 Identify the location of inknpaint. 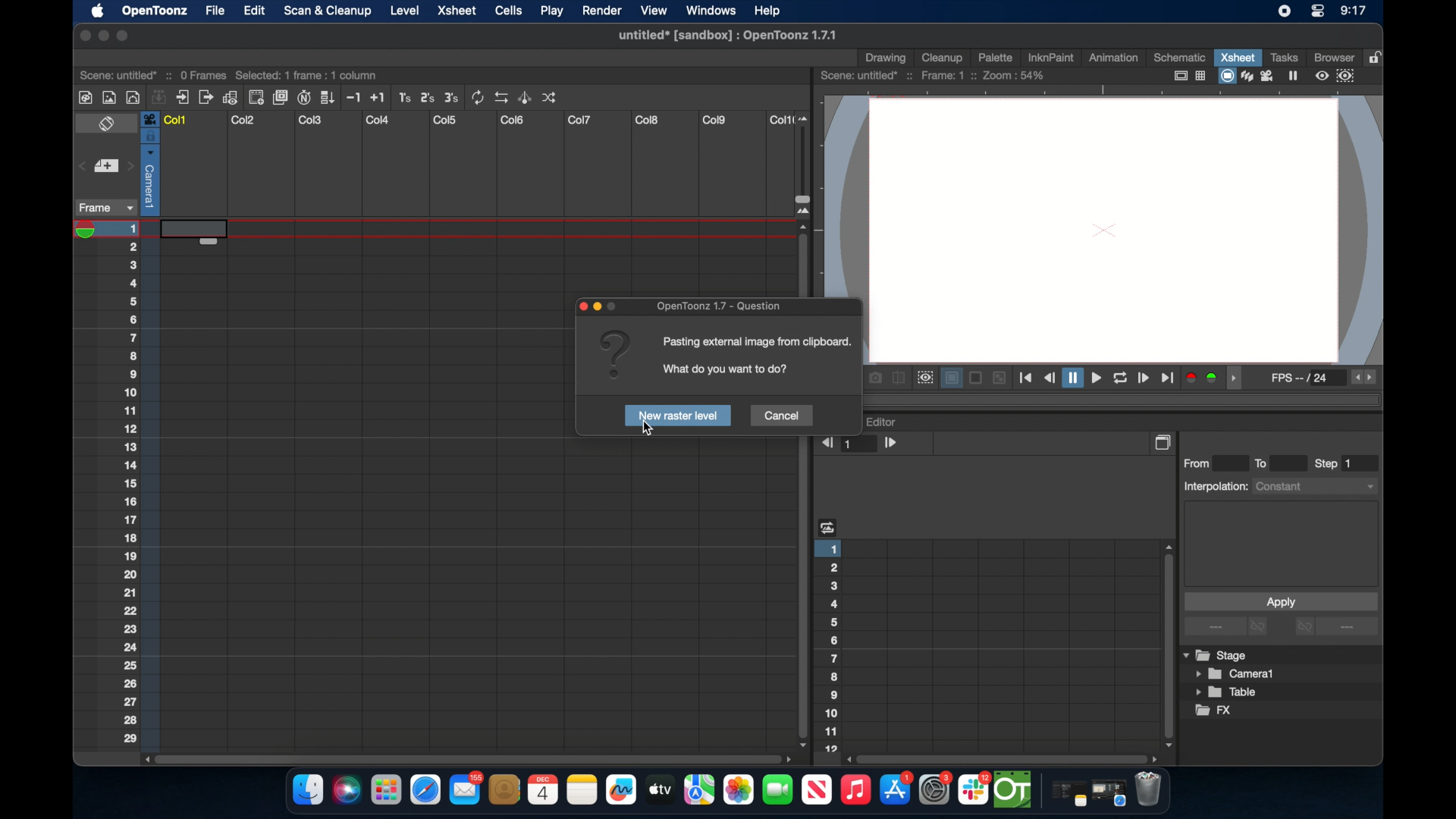
(1050, 57).